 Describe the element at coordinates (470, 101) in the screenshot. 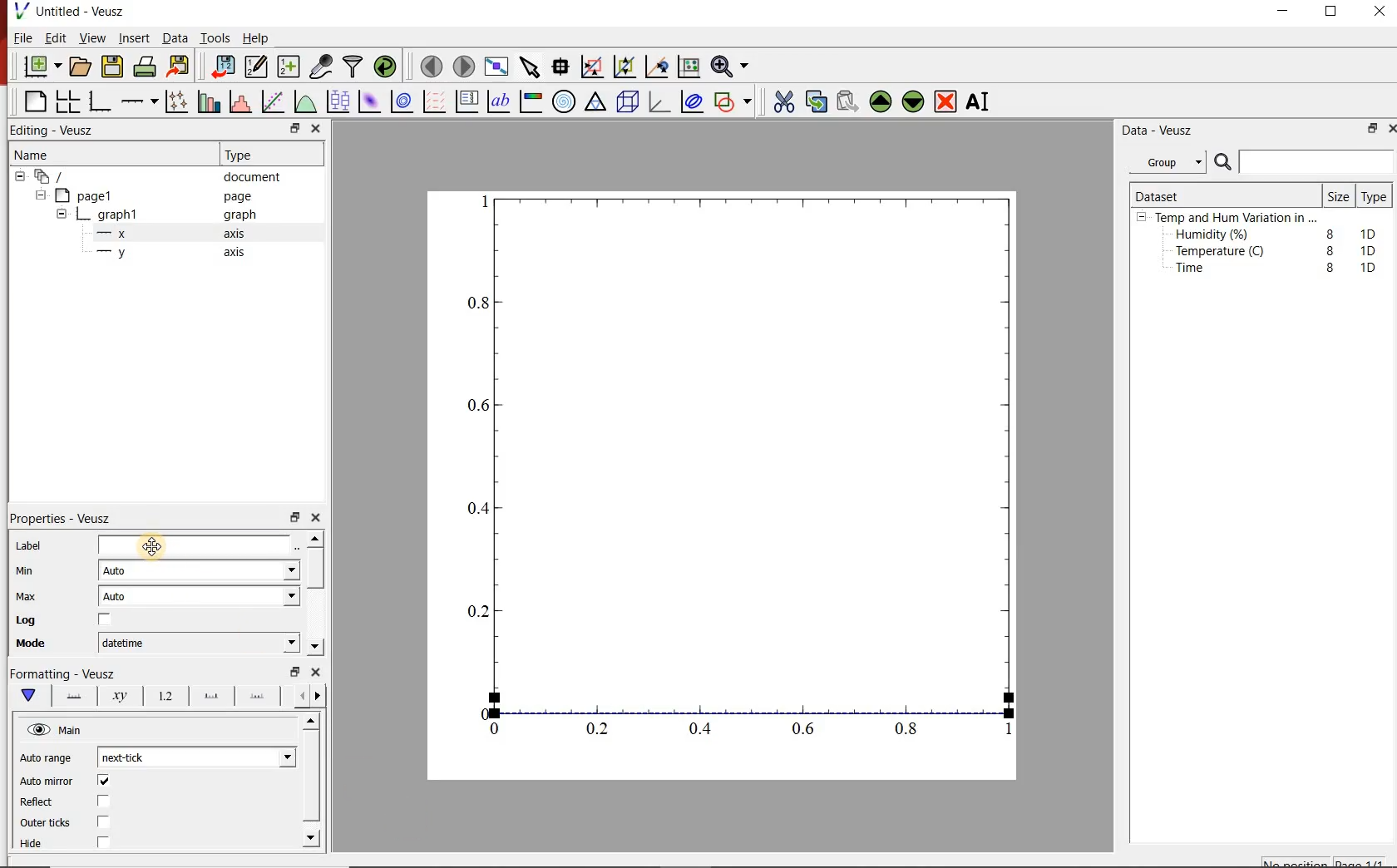

I see `plot key` at that location.